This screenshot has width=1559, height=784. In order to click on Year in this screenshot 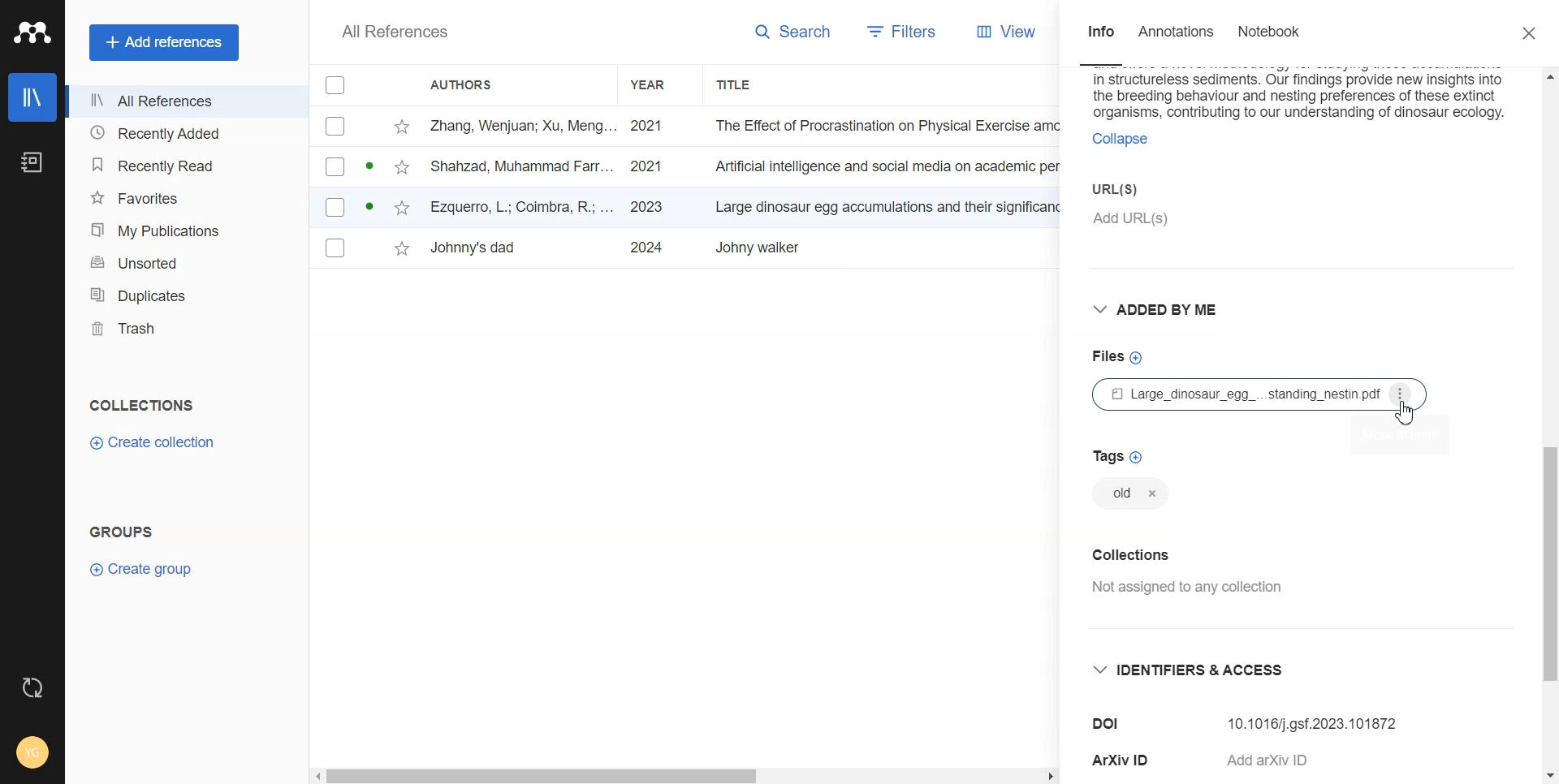, I will do `click(659, 84)`.